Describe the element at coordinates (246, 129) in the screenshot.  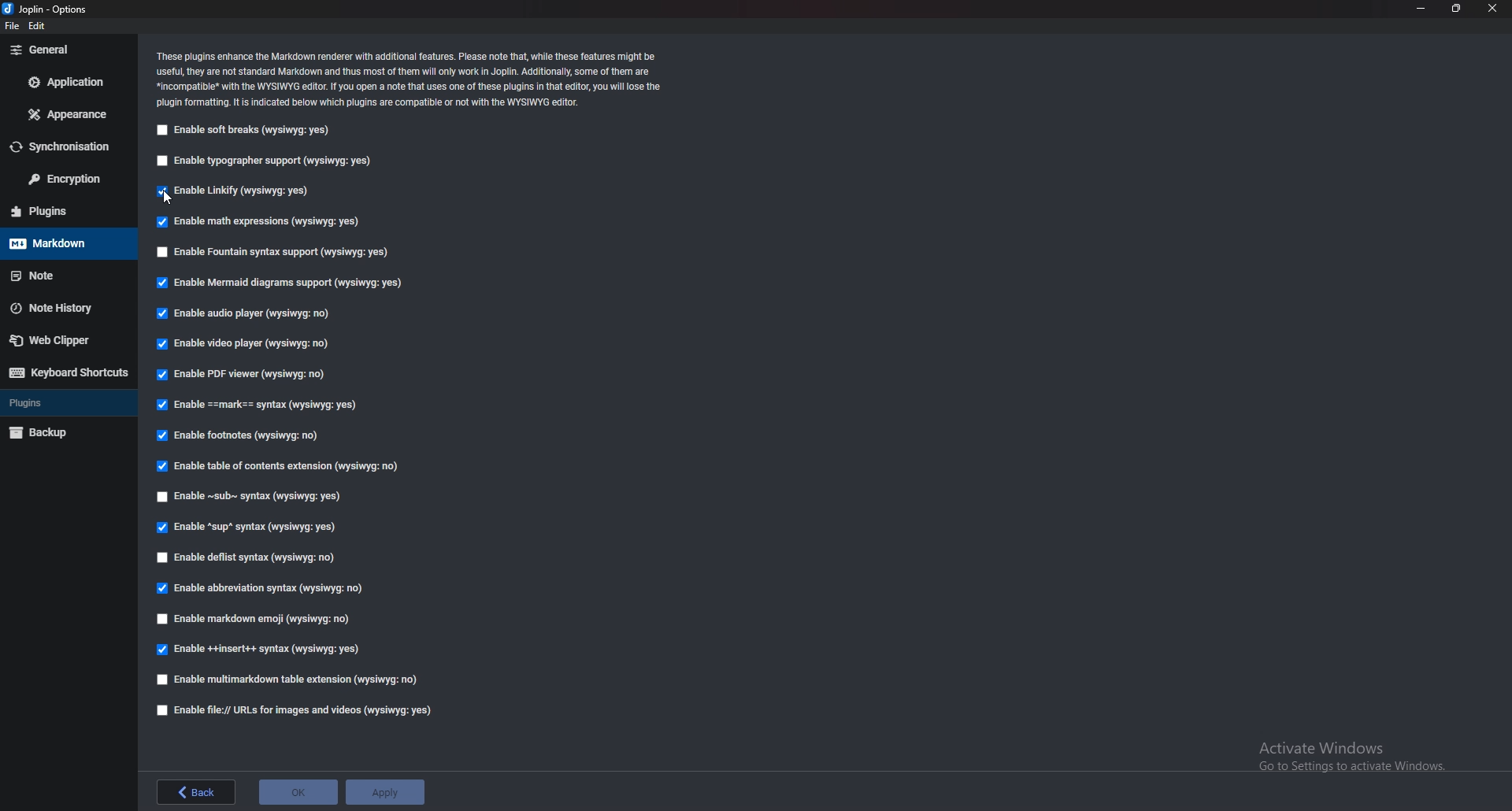
I see `enable soft brakes` at that location.